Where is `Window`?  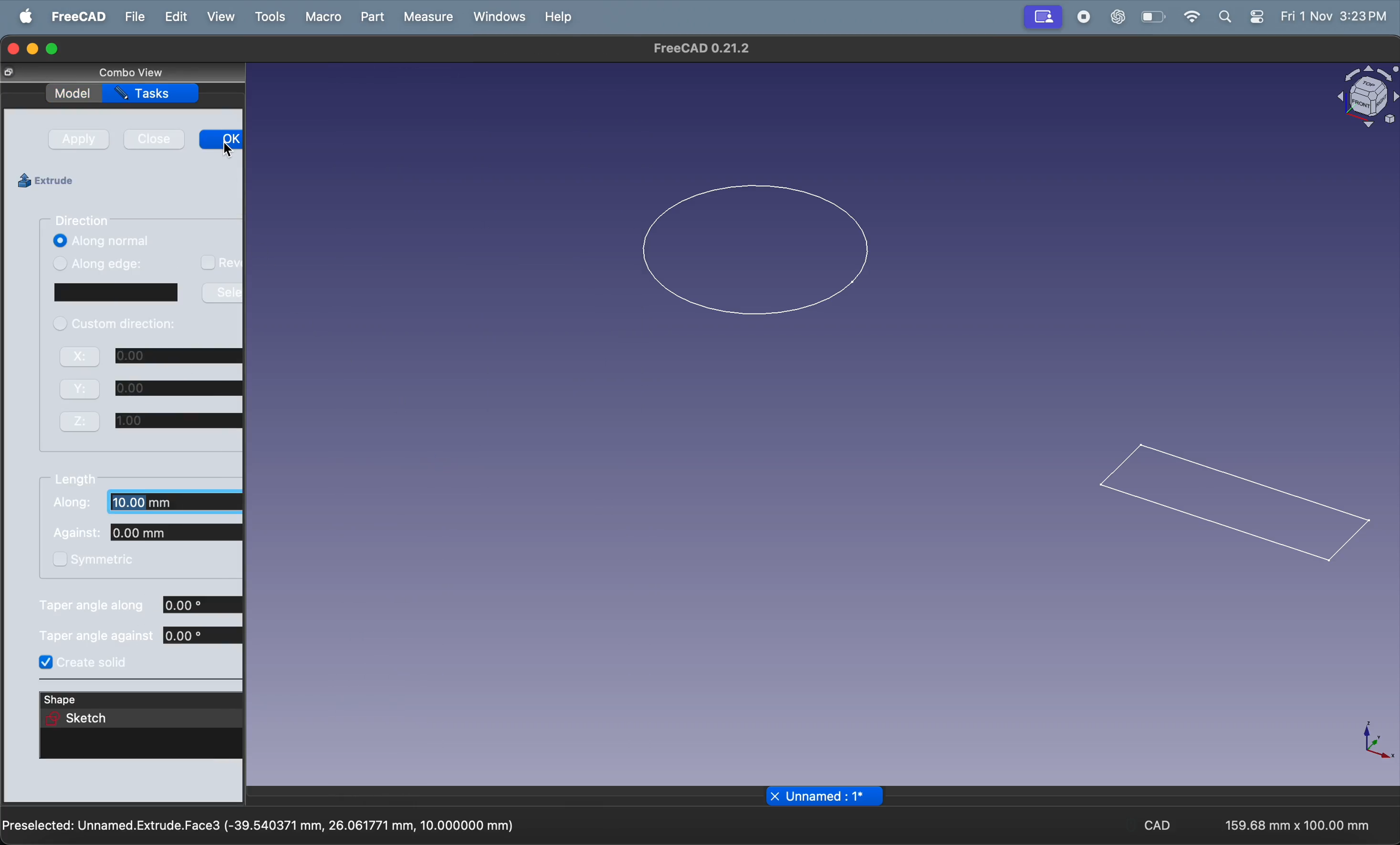
Window is located at coordinates (500, 17).